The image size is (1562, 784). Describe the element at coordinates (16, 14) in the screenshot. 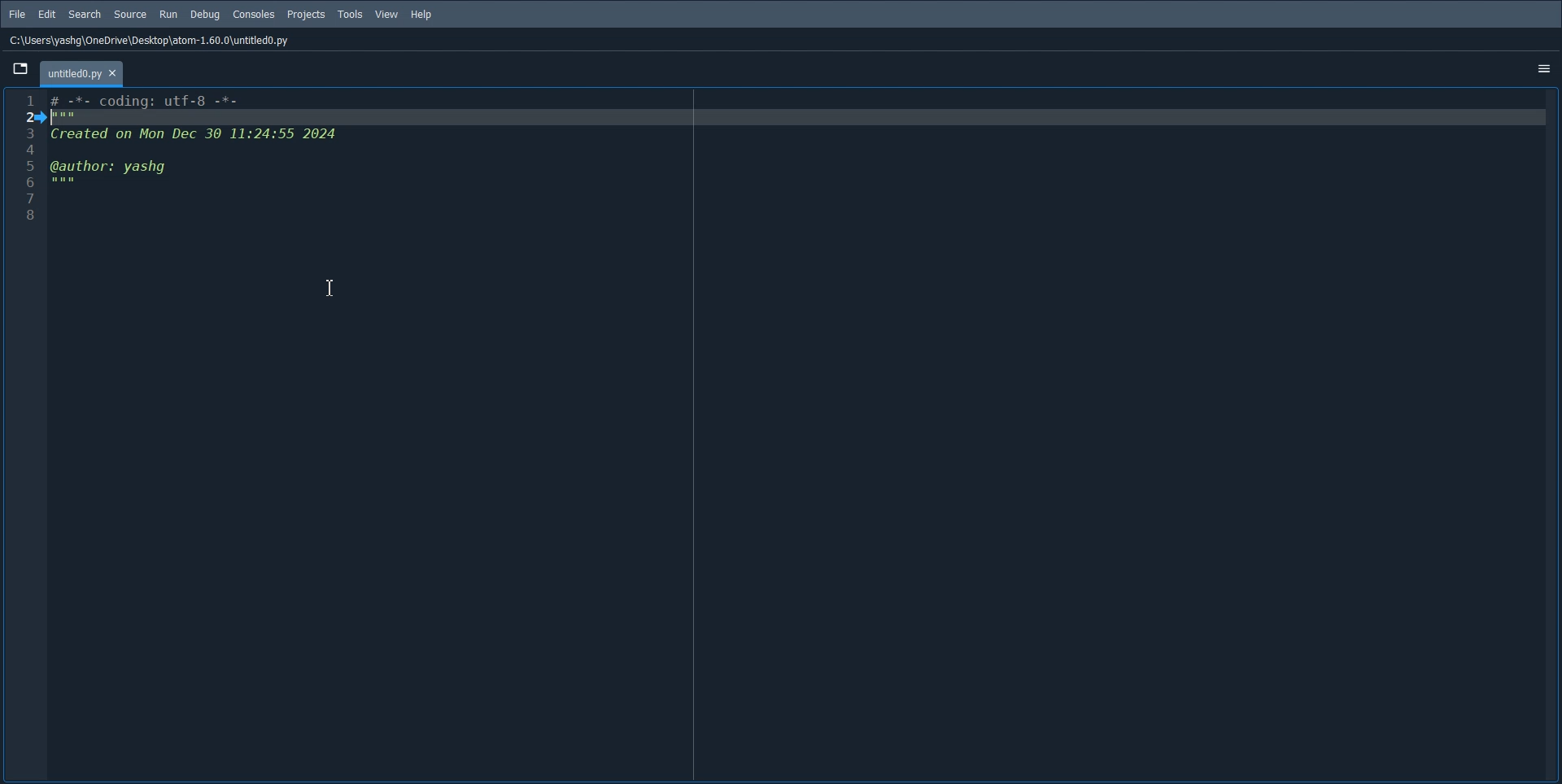

I see `File` at that location.